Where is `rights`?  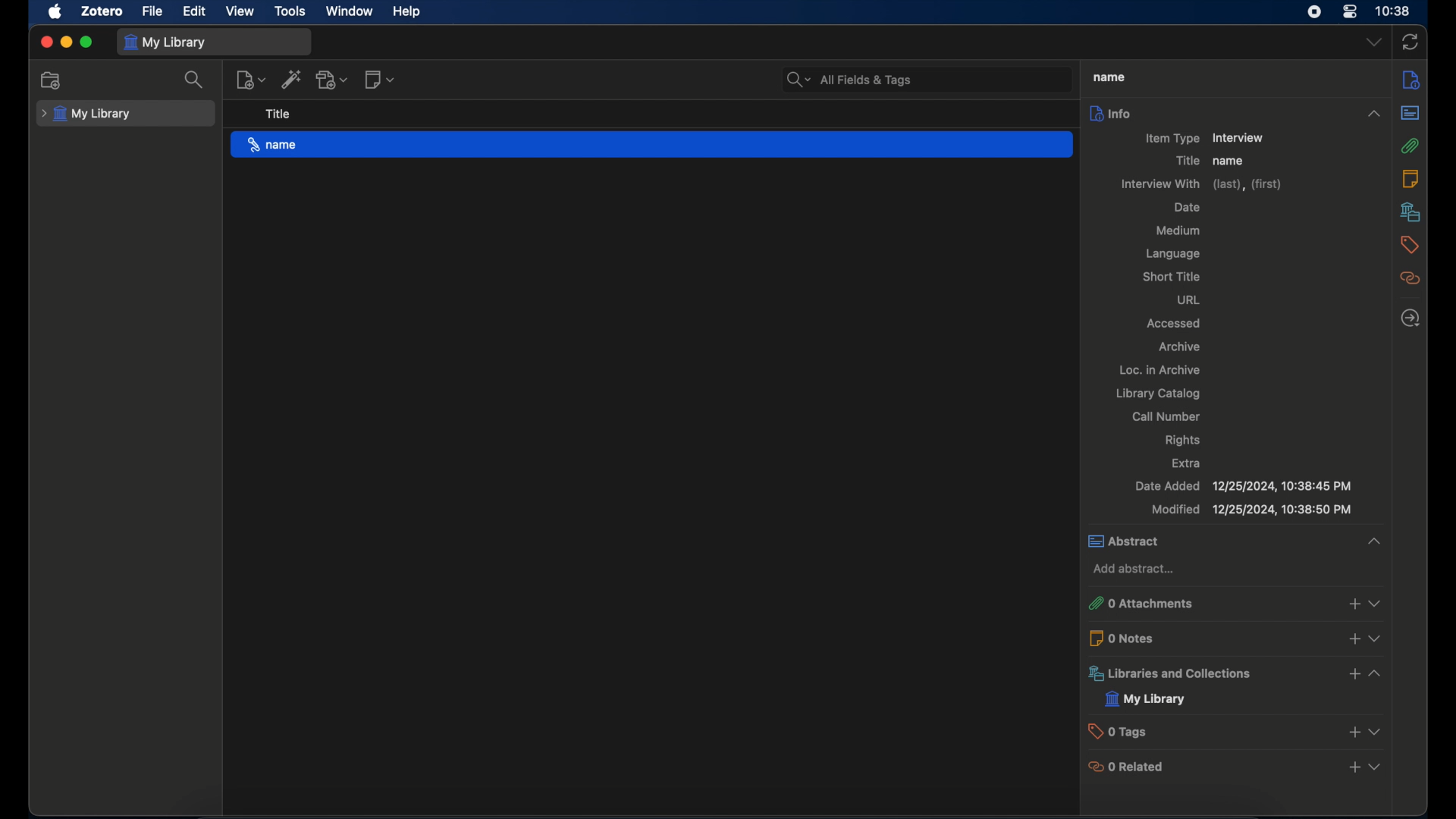
rights is located at coordinates (1185, 441).